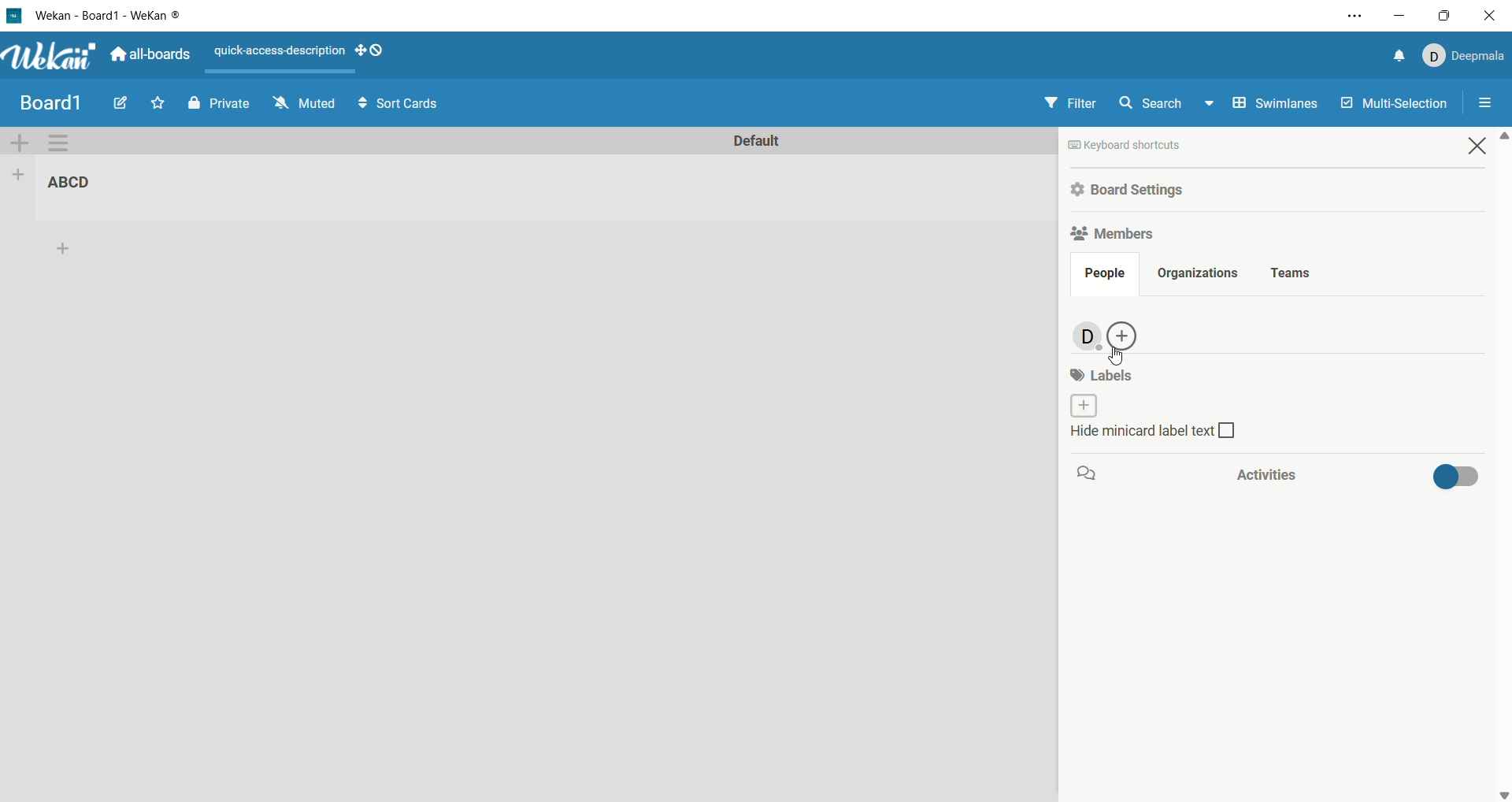 Image resolution: width=1512 pixels, height=802 pixels. I want to click on open/close sidebar, so click(1486, 104).